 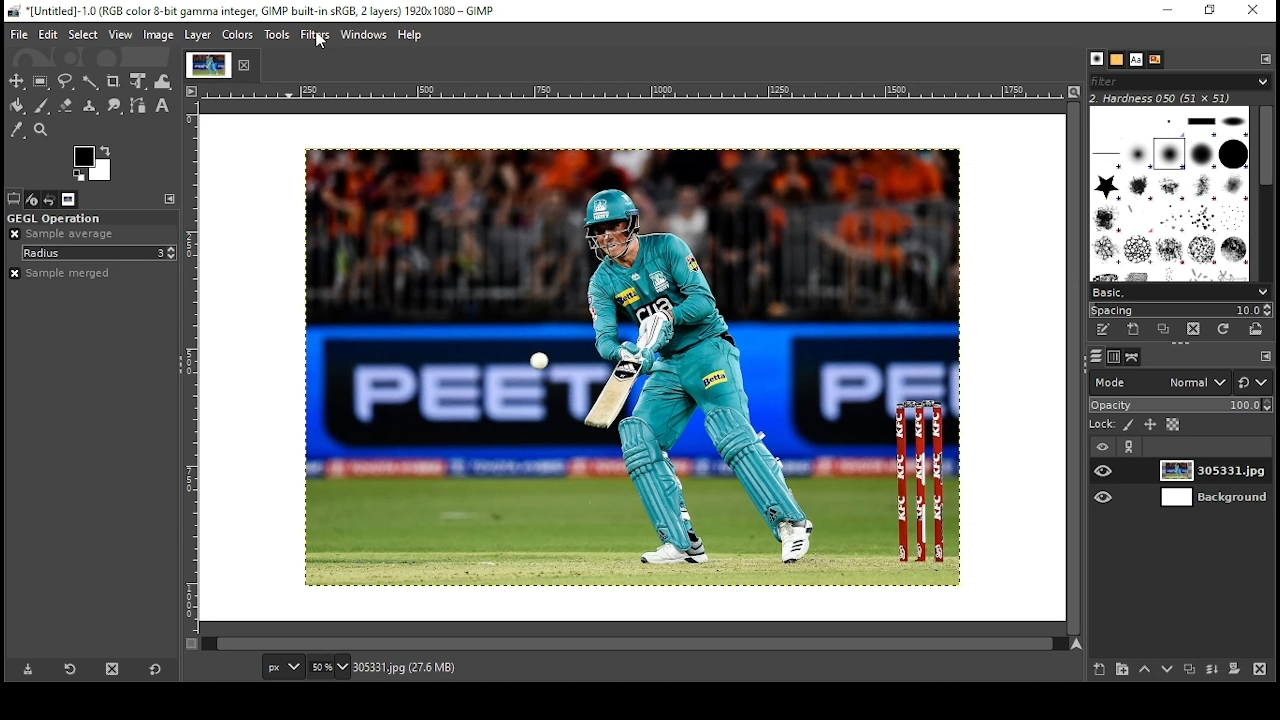 I want to click on layer on/off, so click(x=1106, y=498).